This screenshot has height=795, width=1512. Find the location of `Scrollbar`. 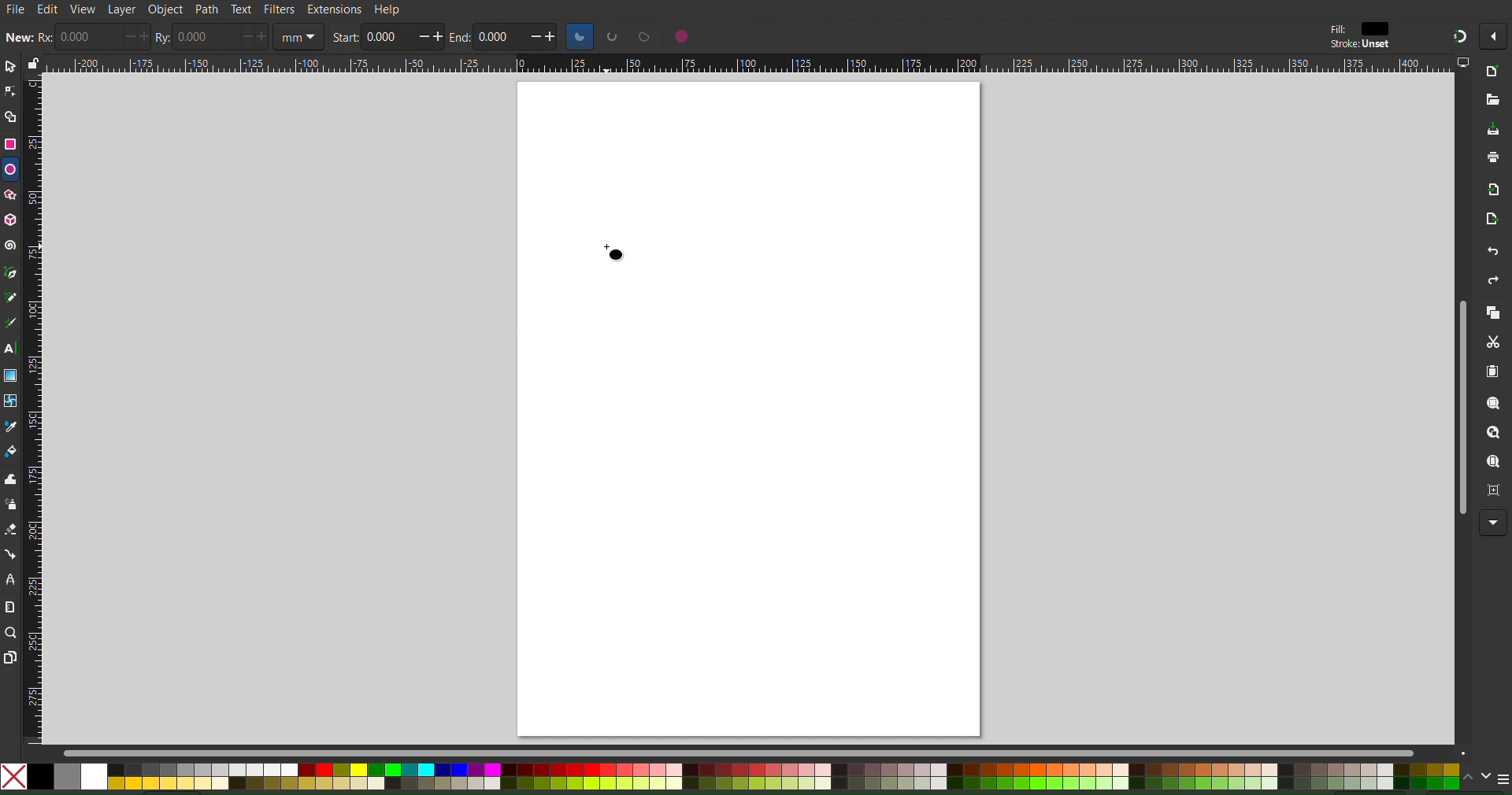

Scrollbar is located at coordinates (1461, 401).